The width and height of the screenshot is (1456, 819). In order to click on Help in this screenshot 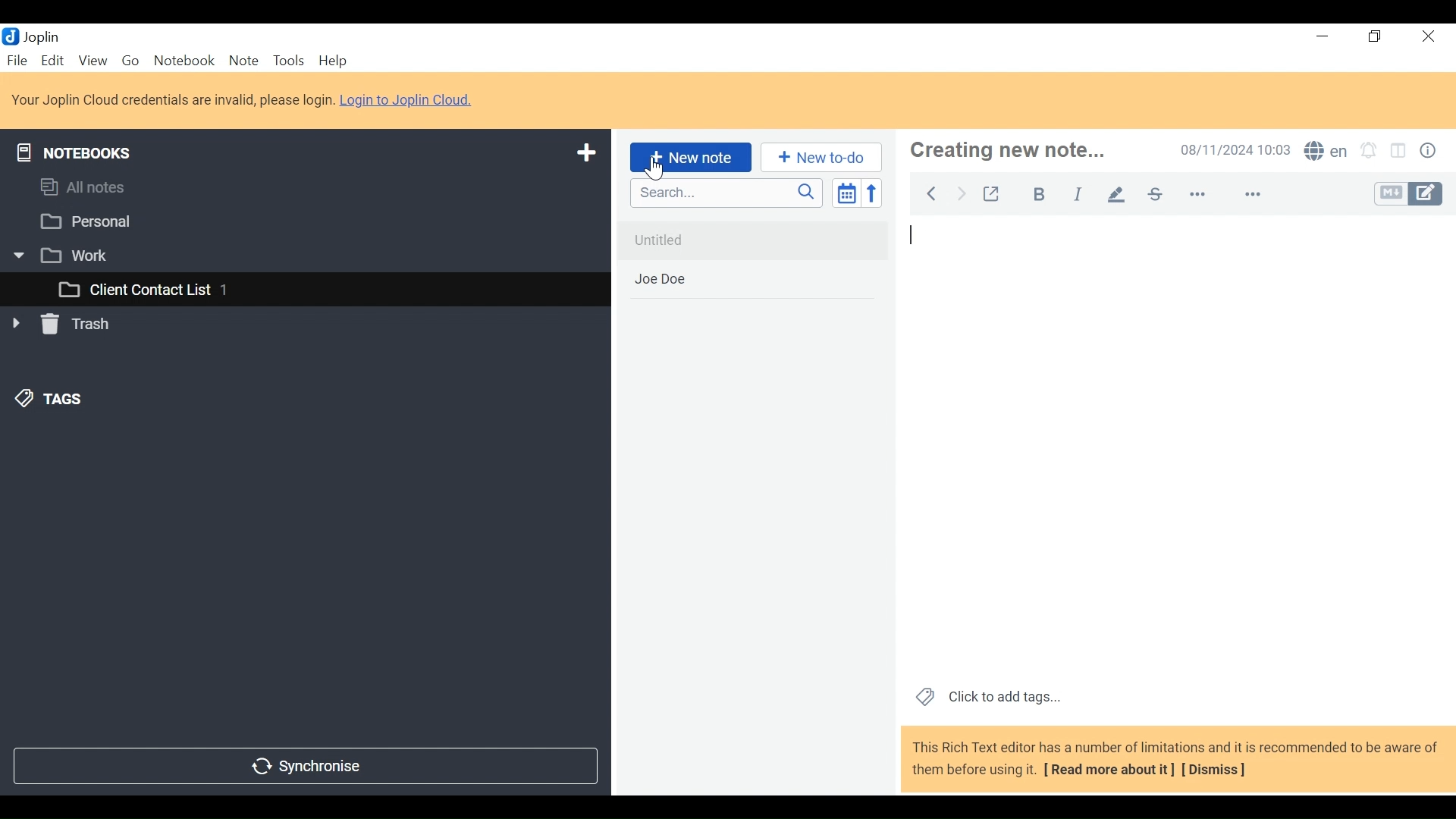, I will do `click(331, 61)`.